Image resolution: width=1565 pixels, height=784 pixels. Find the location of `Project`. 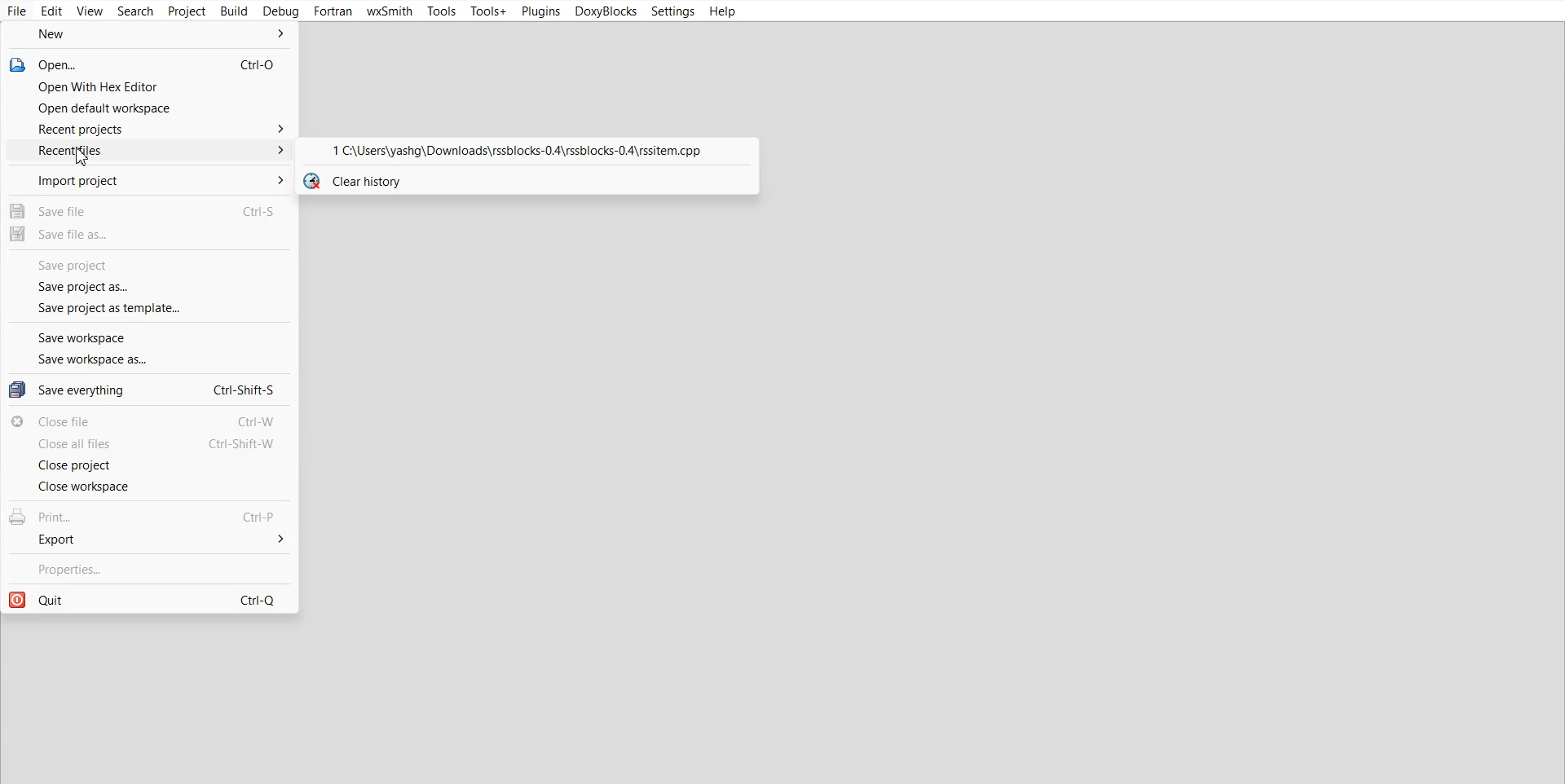

Project is located at coordinates (187, 11).